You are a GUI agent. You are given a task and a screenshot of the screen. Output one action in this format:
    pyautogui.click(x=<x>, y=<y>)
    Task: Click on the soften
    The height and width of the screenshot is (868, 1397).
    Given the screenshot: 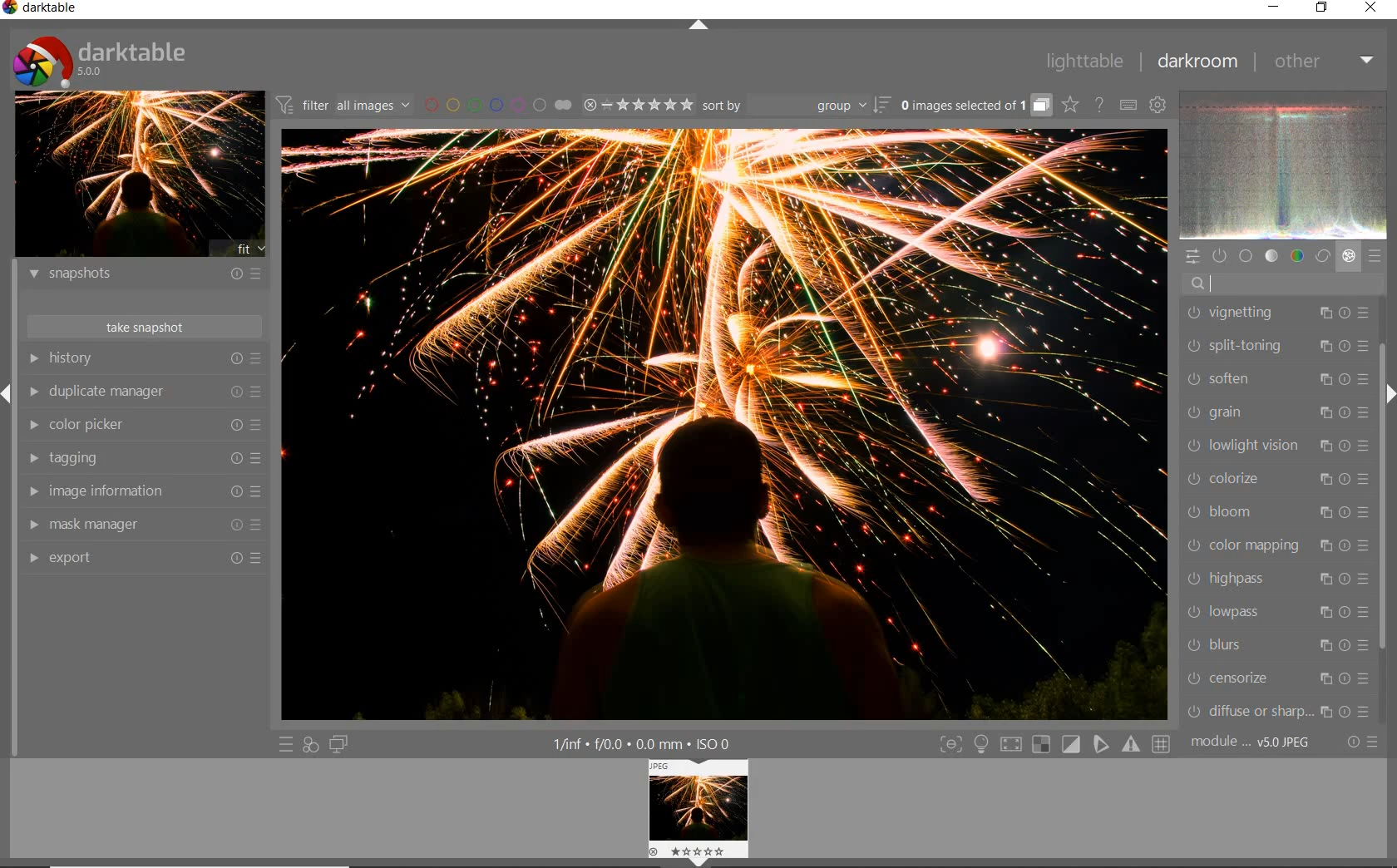 What is the action you would take?
    pyautogui.click(x=1276, y=382)
    